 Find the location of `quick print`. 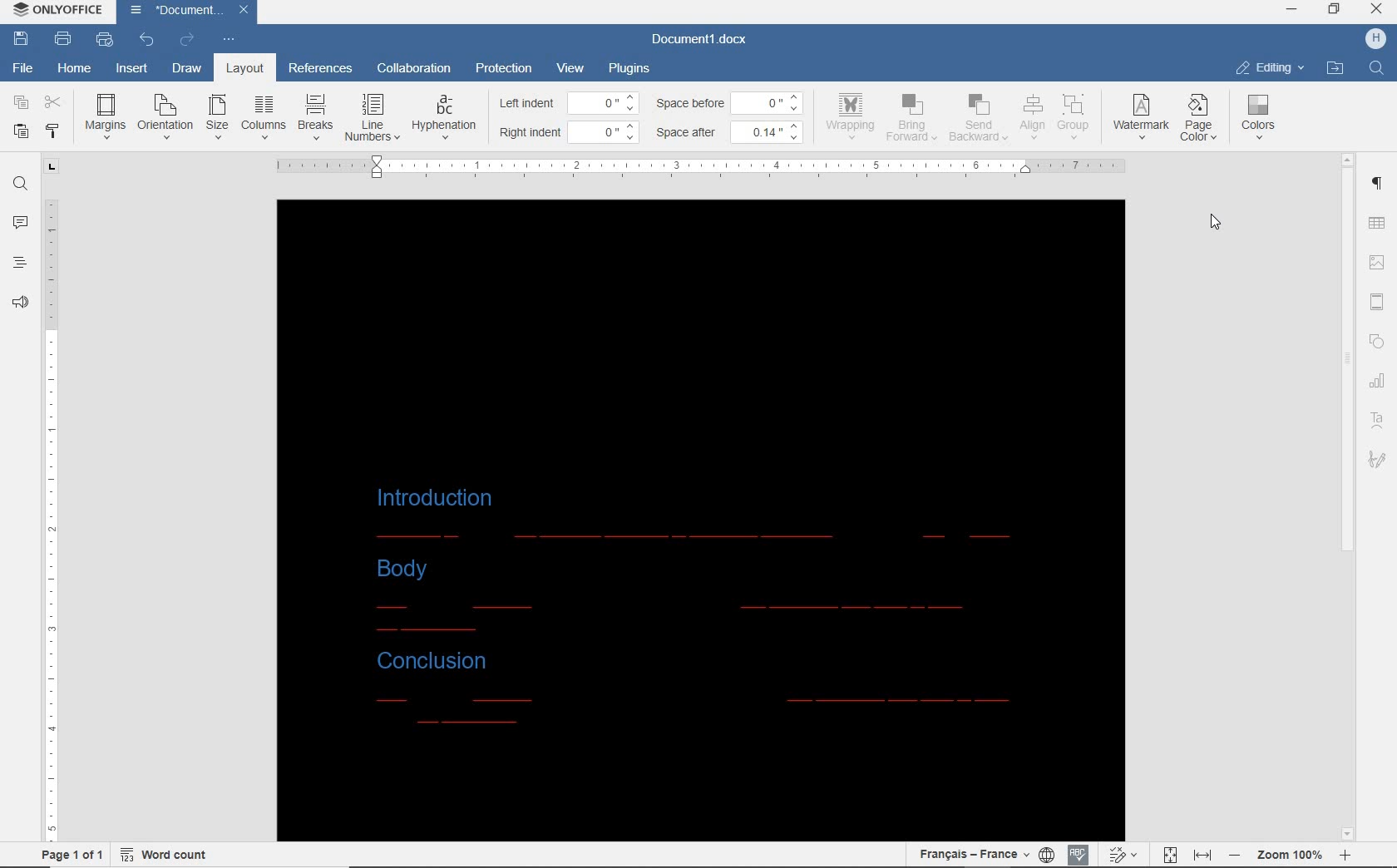

quick print is located at coordinates (105, 41).